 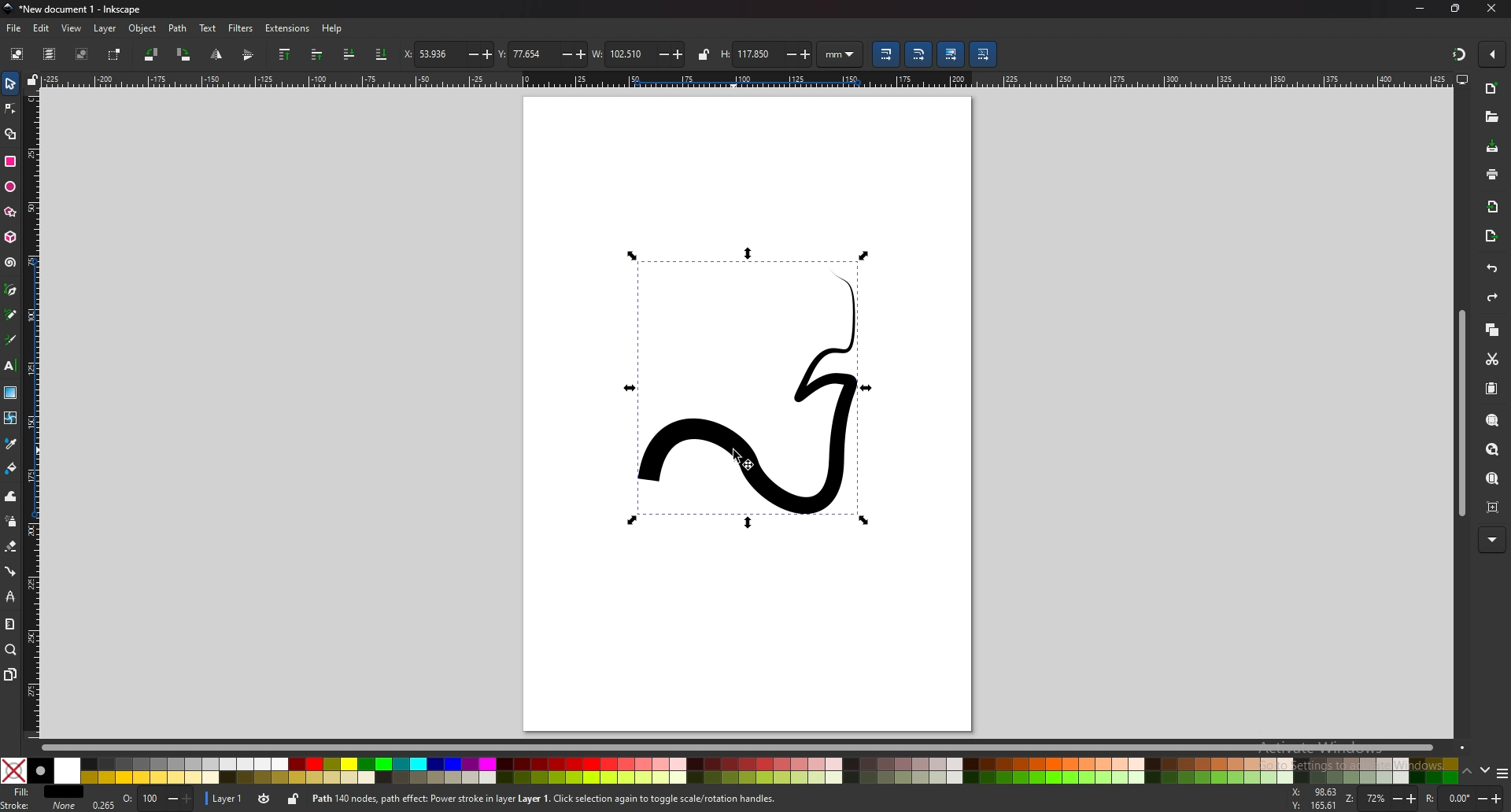 I want to click on ROTATION, so click(x=1467, y=799).